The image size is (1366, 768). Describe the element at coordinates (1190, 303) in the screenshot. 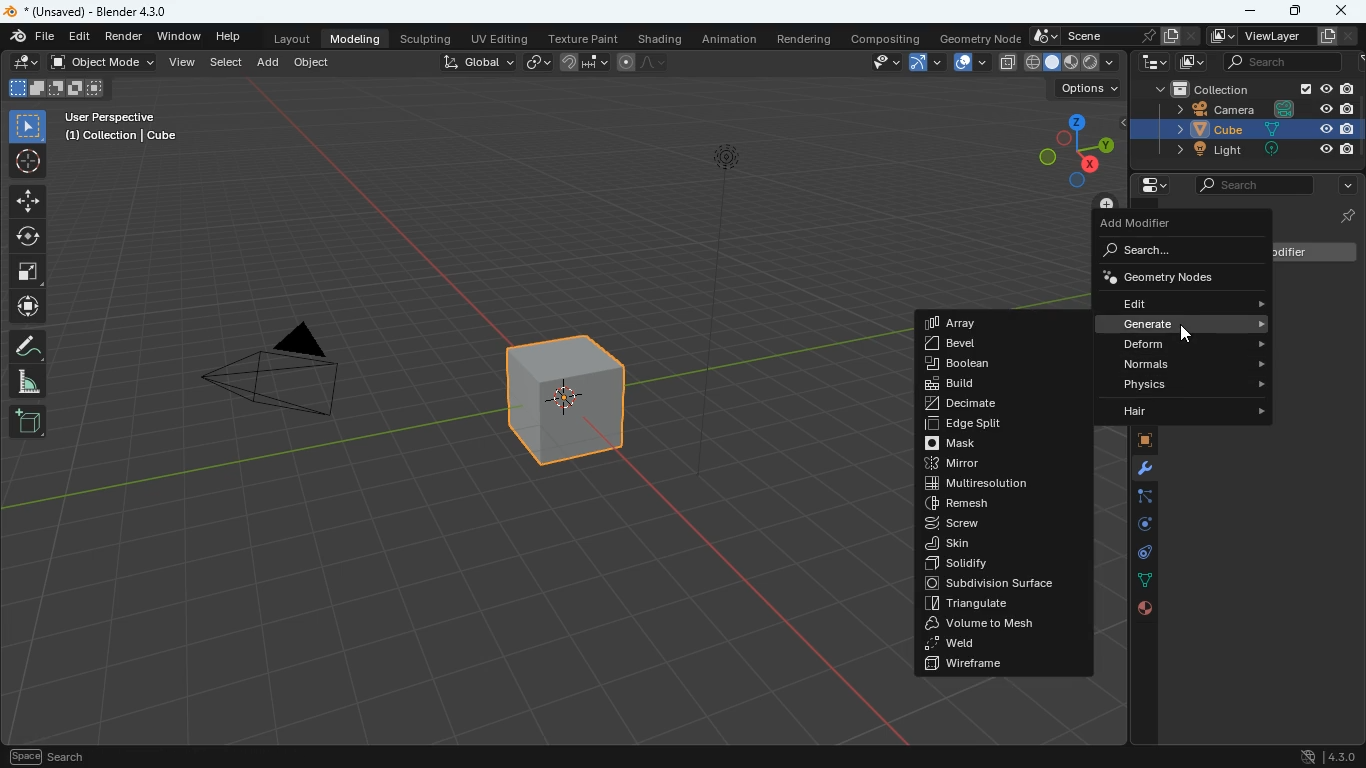

I see `edit` at that location.